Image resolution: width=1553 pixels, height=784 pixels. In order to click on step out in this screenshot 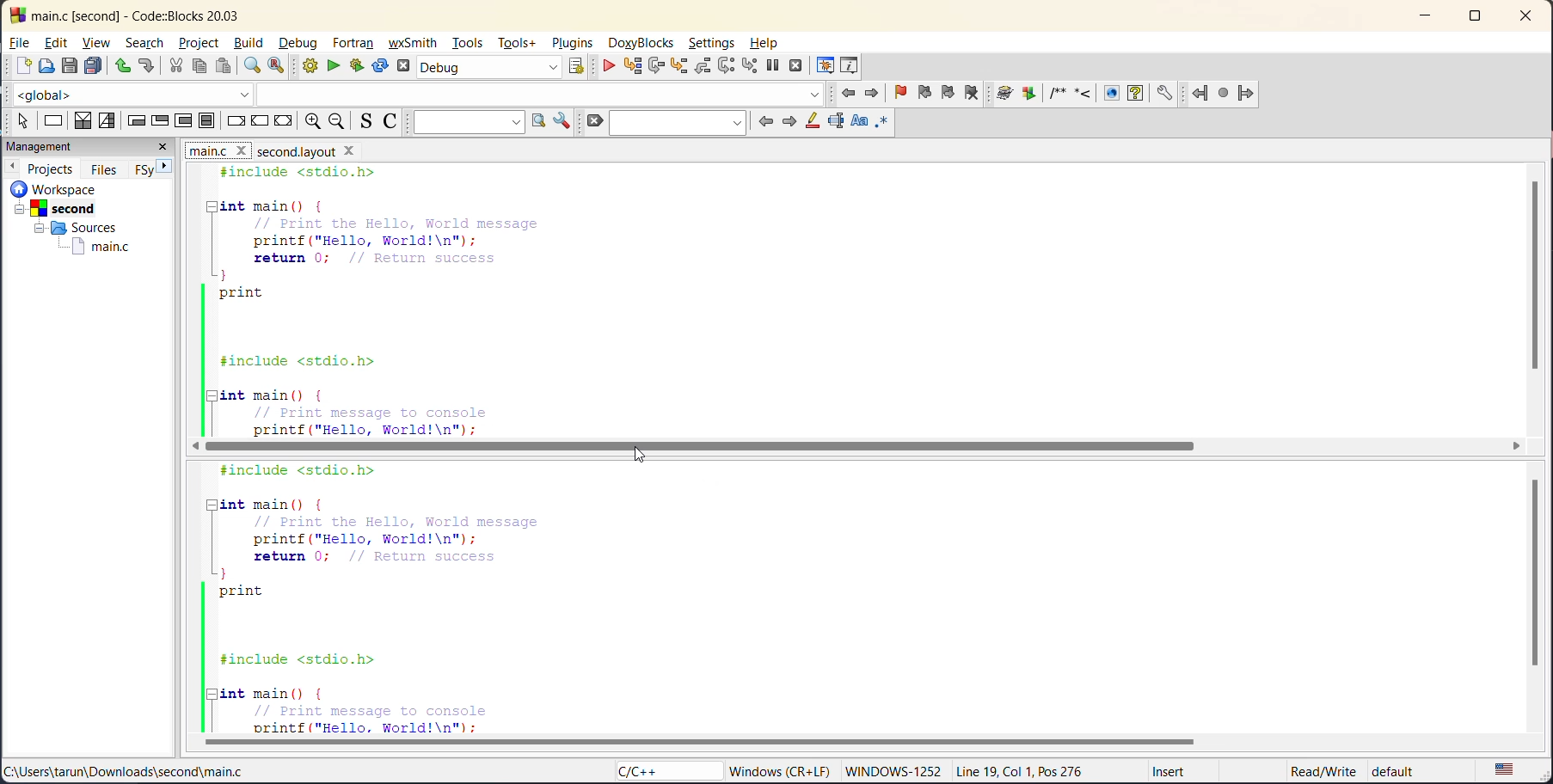, I will do `click(703, 67)`.